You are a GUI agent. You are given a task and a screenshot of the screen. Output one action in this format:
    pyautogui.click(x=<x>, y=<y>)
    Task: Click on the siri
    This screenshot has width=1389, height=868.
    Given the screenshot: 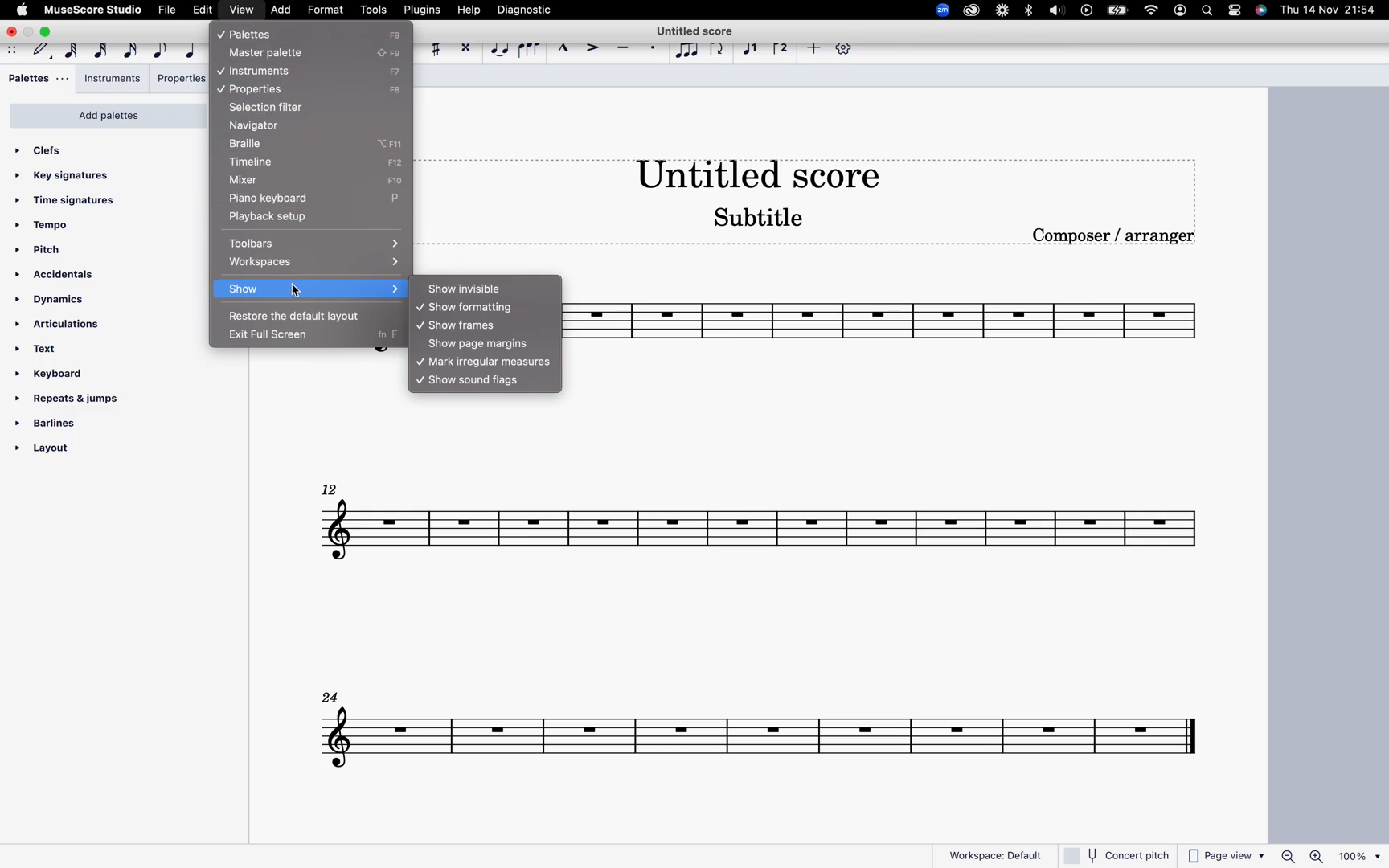 What is the action you would take?
    pyautogui.click(x=1260, y=10)
    